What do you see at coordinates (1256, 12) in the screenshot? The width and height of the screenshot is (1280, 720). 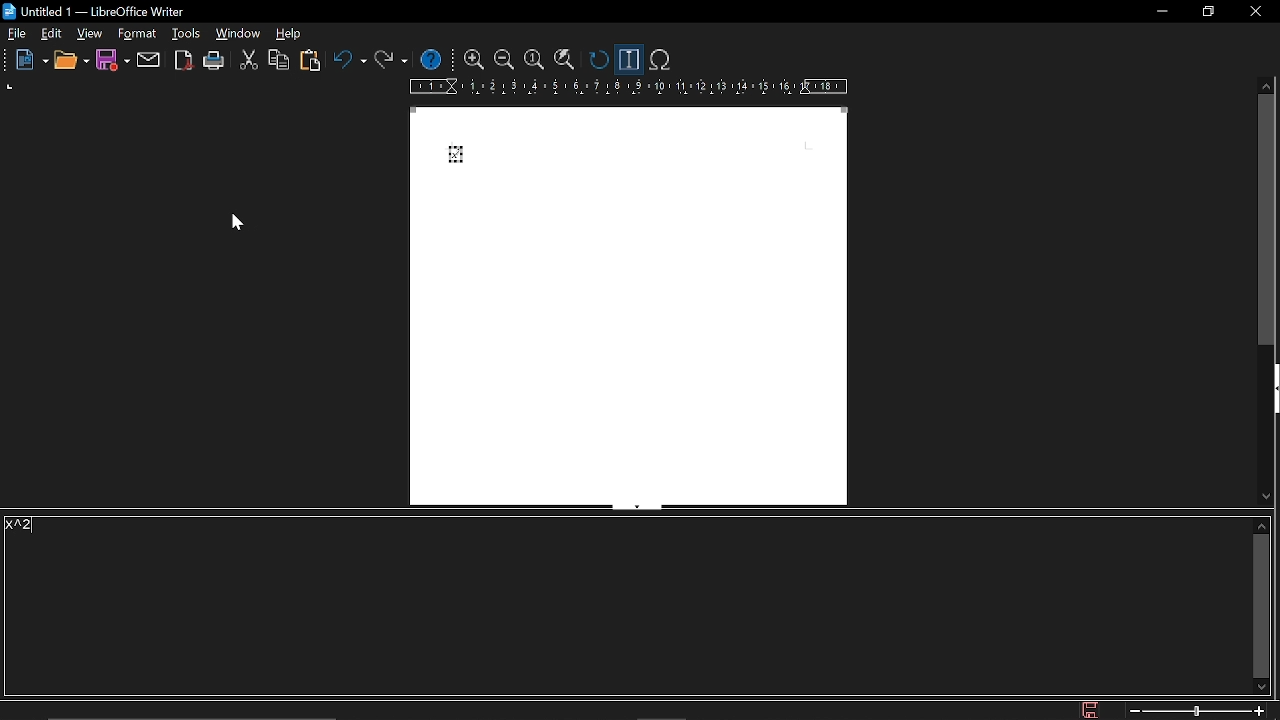 I see `close` at bounding box center [1256, 12].